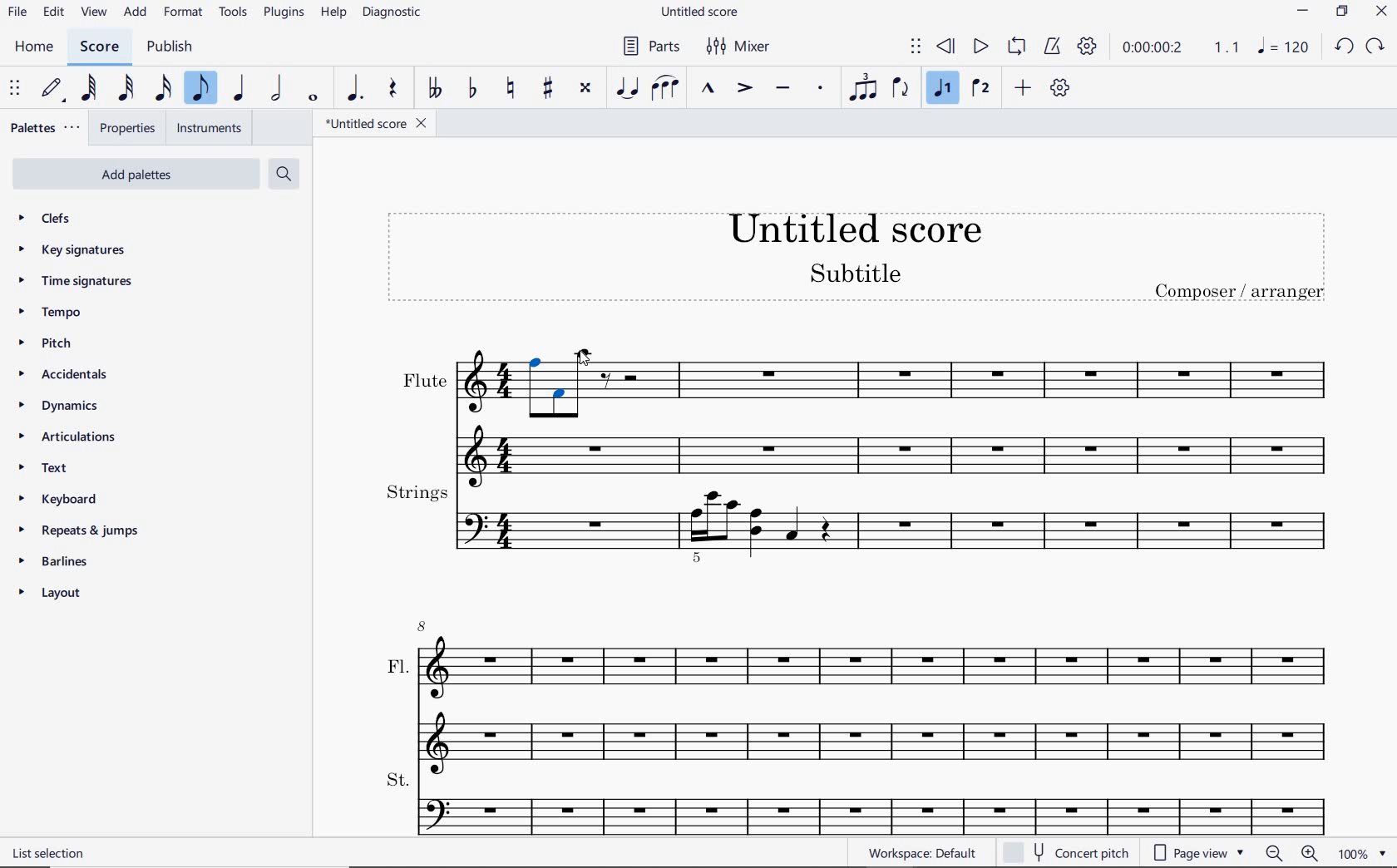 This screenshot has height=868, width=1397. What do you see at coordinates (1376, 47) in the screenshot?
I see `redo` at bounding box center [1376, 47].